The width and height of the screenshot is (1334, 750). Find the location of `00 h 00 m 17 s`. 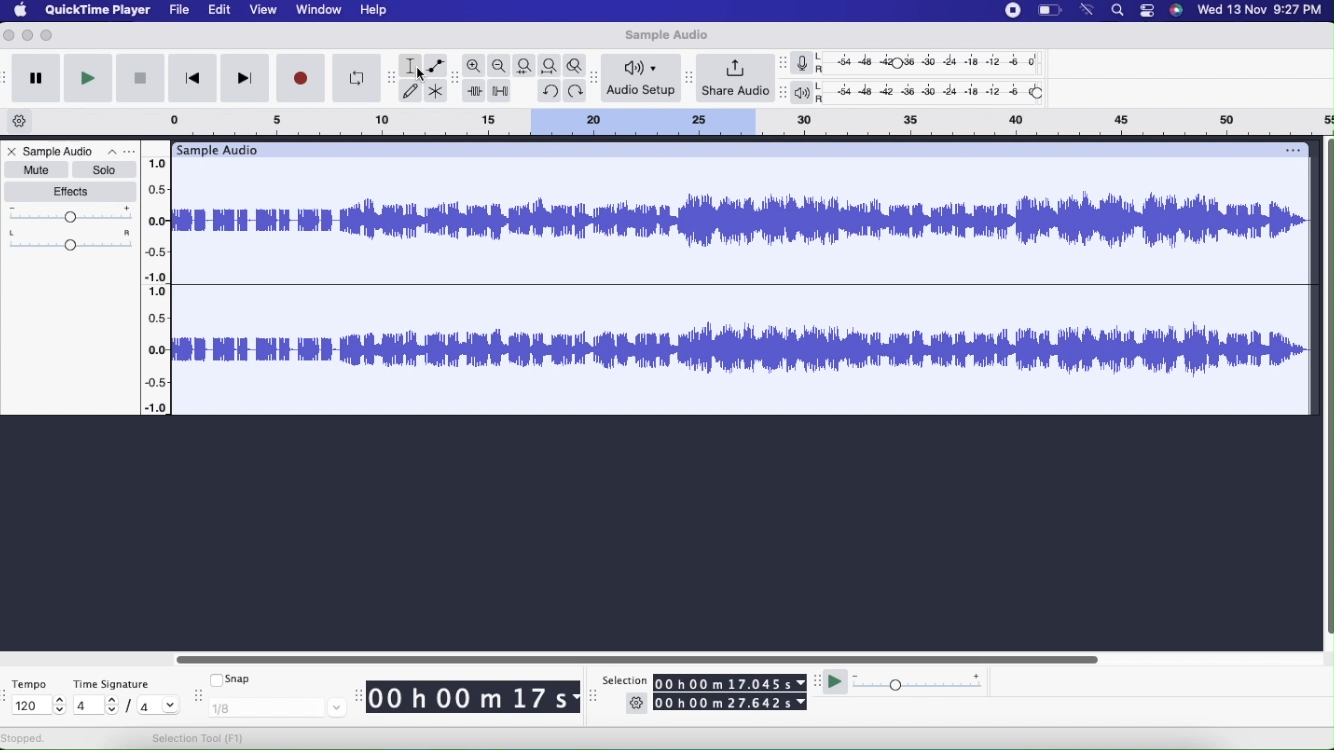

00 h 00 m 17 s is located at coordinates (468, 698).